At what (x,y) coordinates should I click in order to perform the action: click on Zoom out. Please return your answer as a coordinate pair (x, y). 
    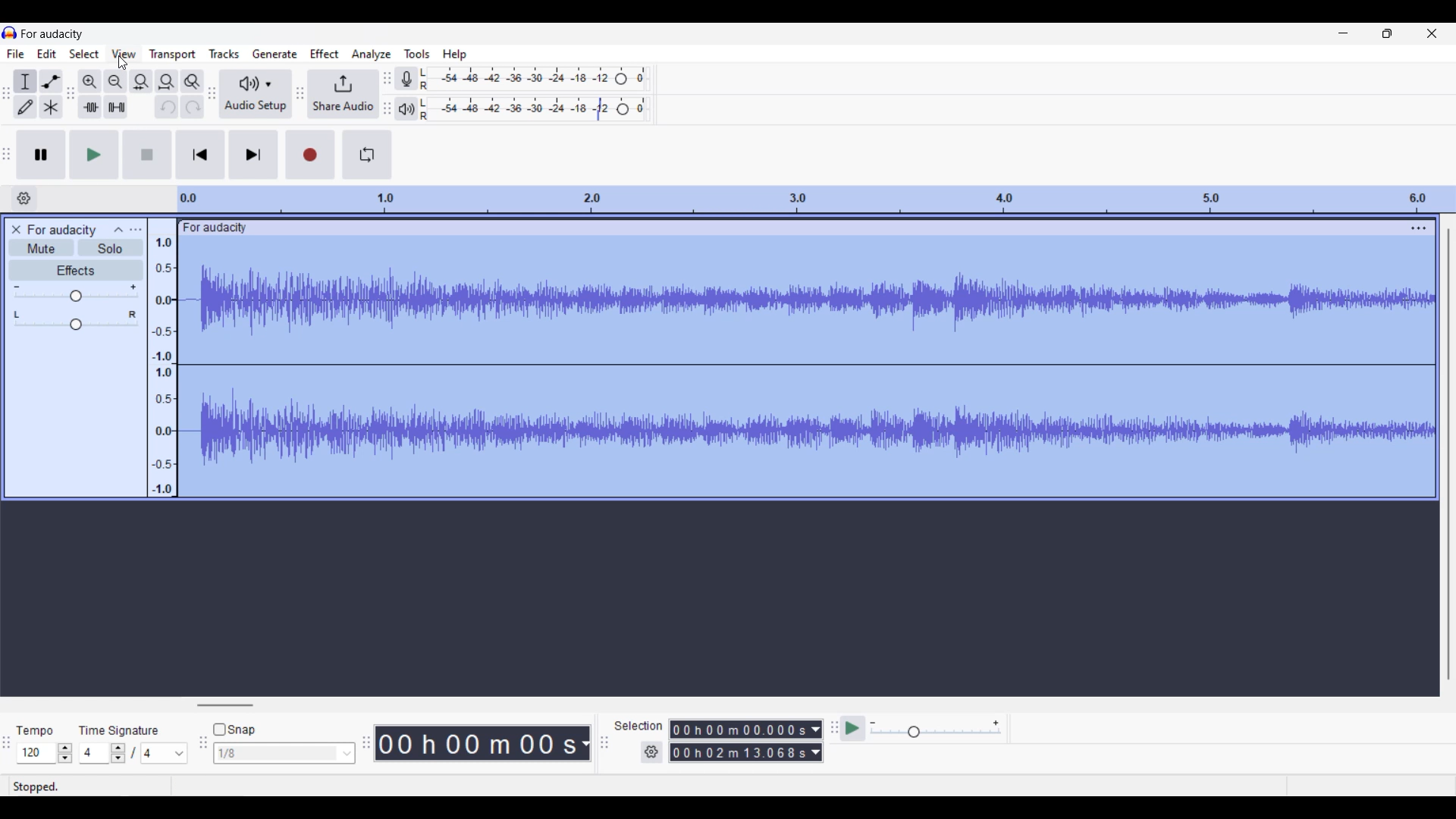
    Looking at the image, I should click on (115, 82).